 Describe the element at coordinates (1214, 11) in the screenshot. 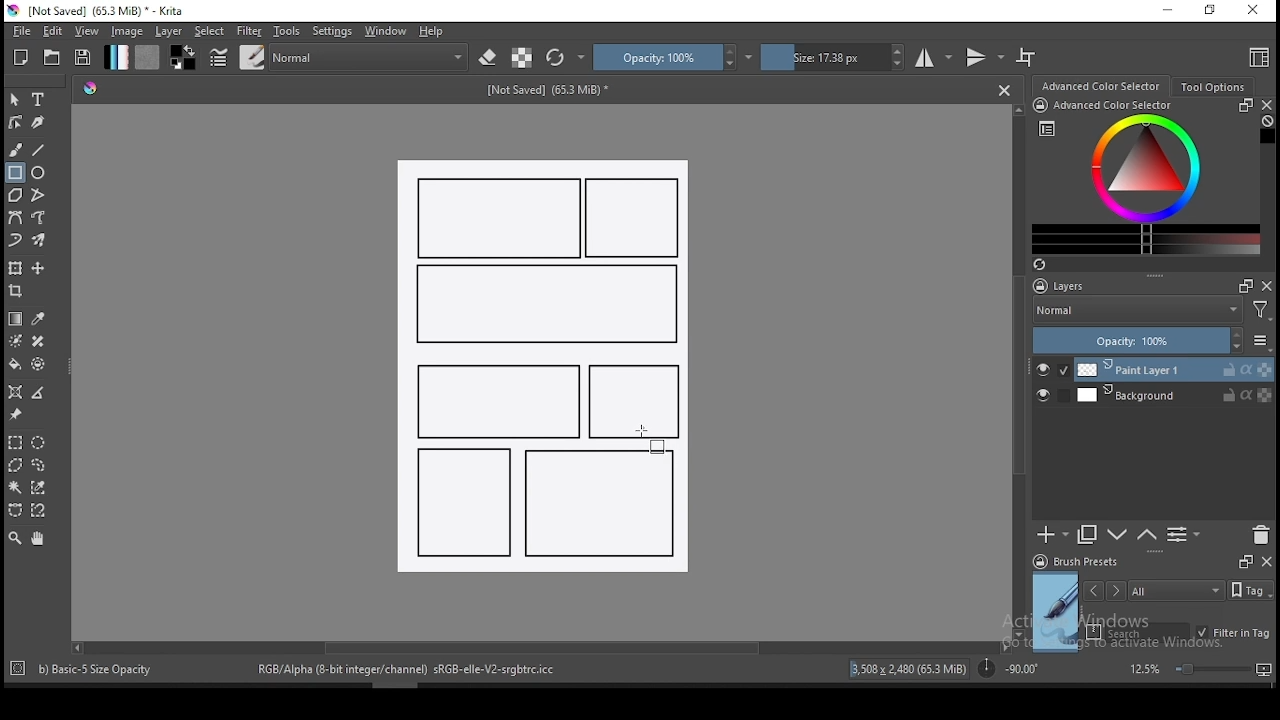

I see `restore` at that location.